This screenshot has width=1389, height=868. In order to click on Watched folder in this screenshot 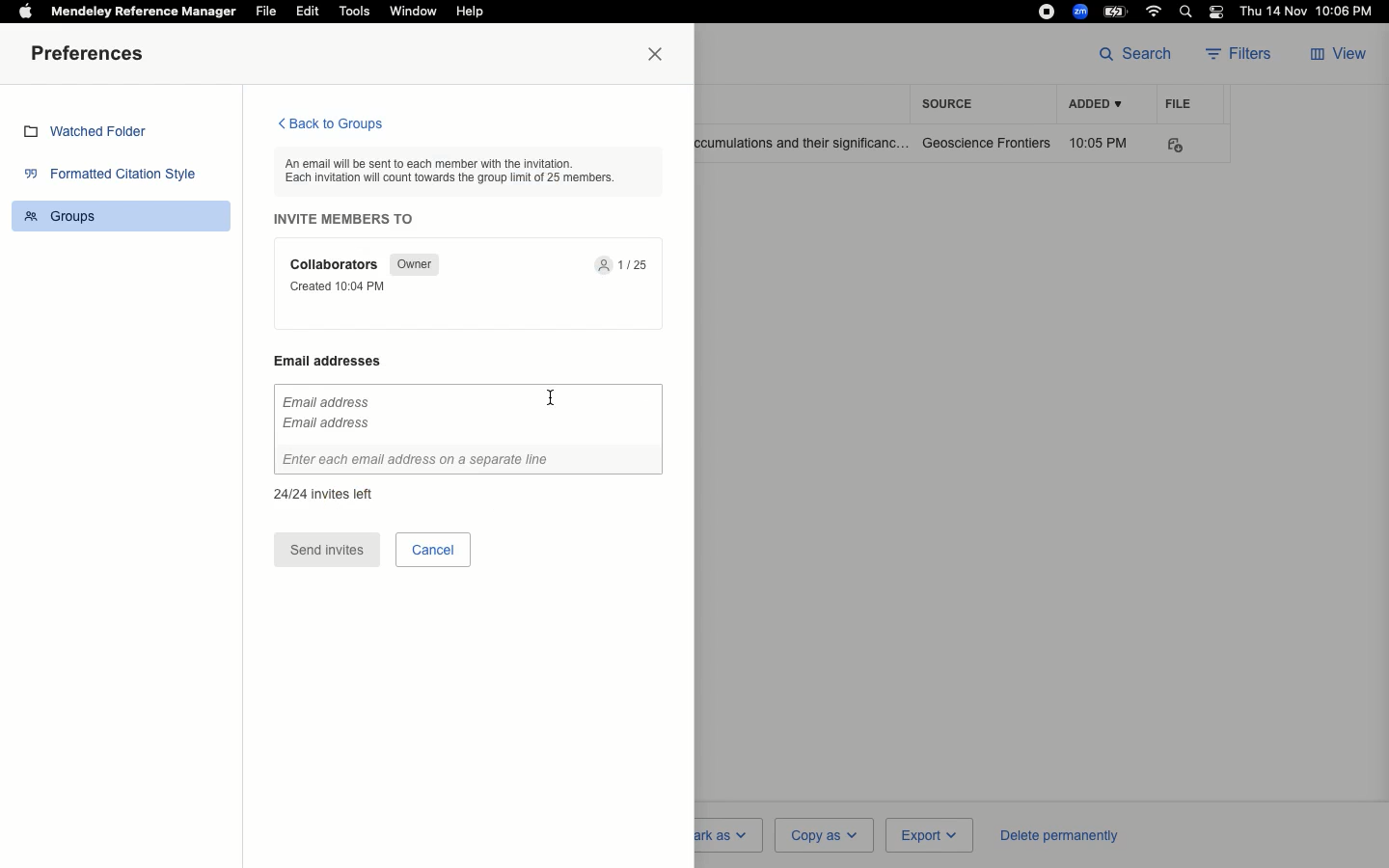, I will do `click(92, 134)`.